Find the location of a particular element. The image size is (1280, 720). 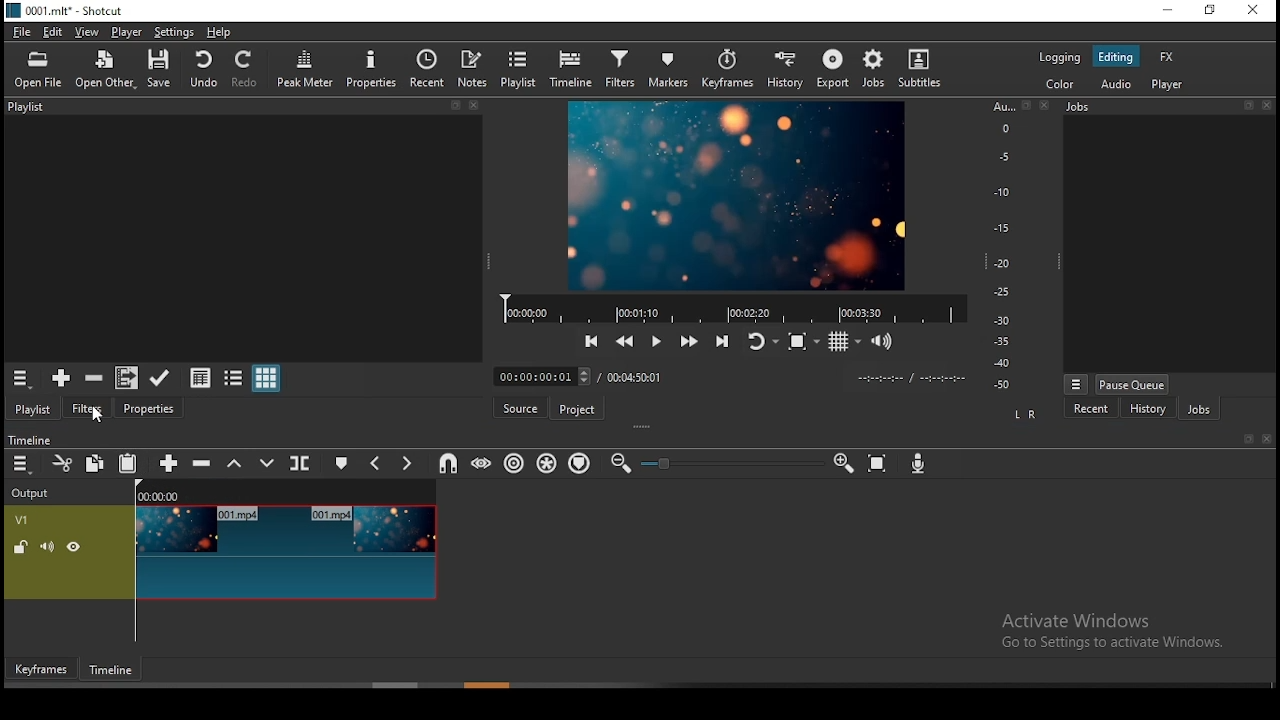

logging is located at coordinates (1056, 58).